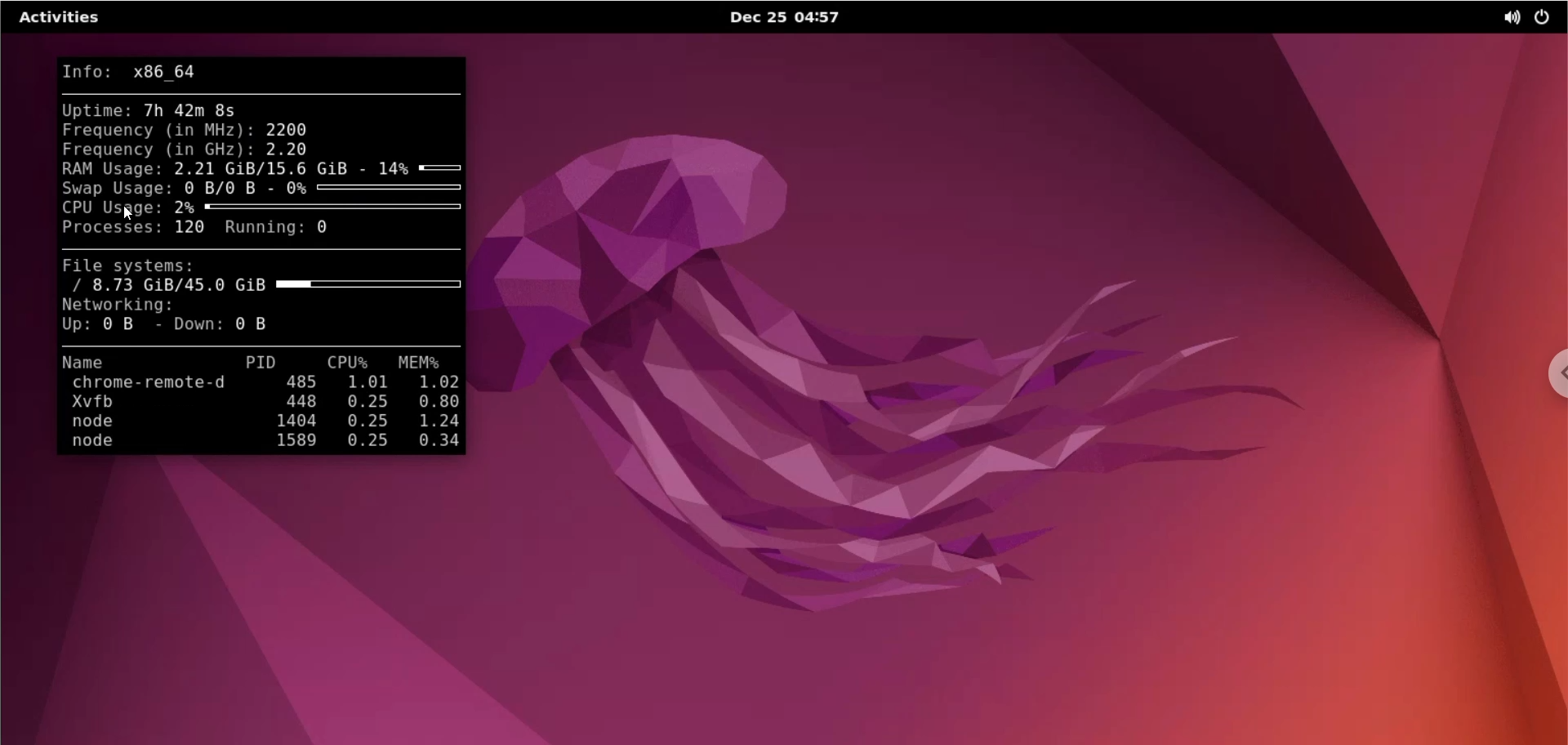 This screenshot has width=1568, height=745. What do you see at coordinates (110, 227) in the screenshot?
I see `processes:` at bounding box center [110, 227].